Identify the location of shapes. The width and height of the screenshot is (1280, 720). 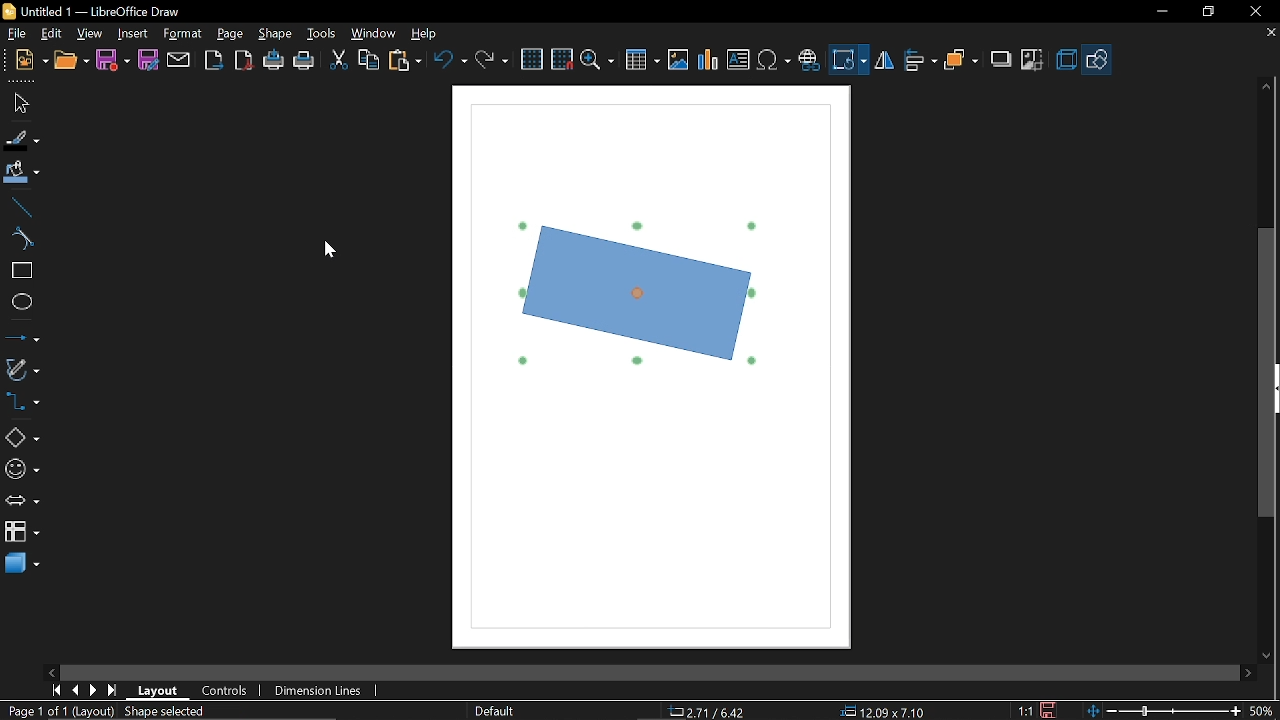
(1098, 59).